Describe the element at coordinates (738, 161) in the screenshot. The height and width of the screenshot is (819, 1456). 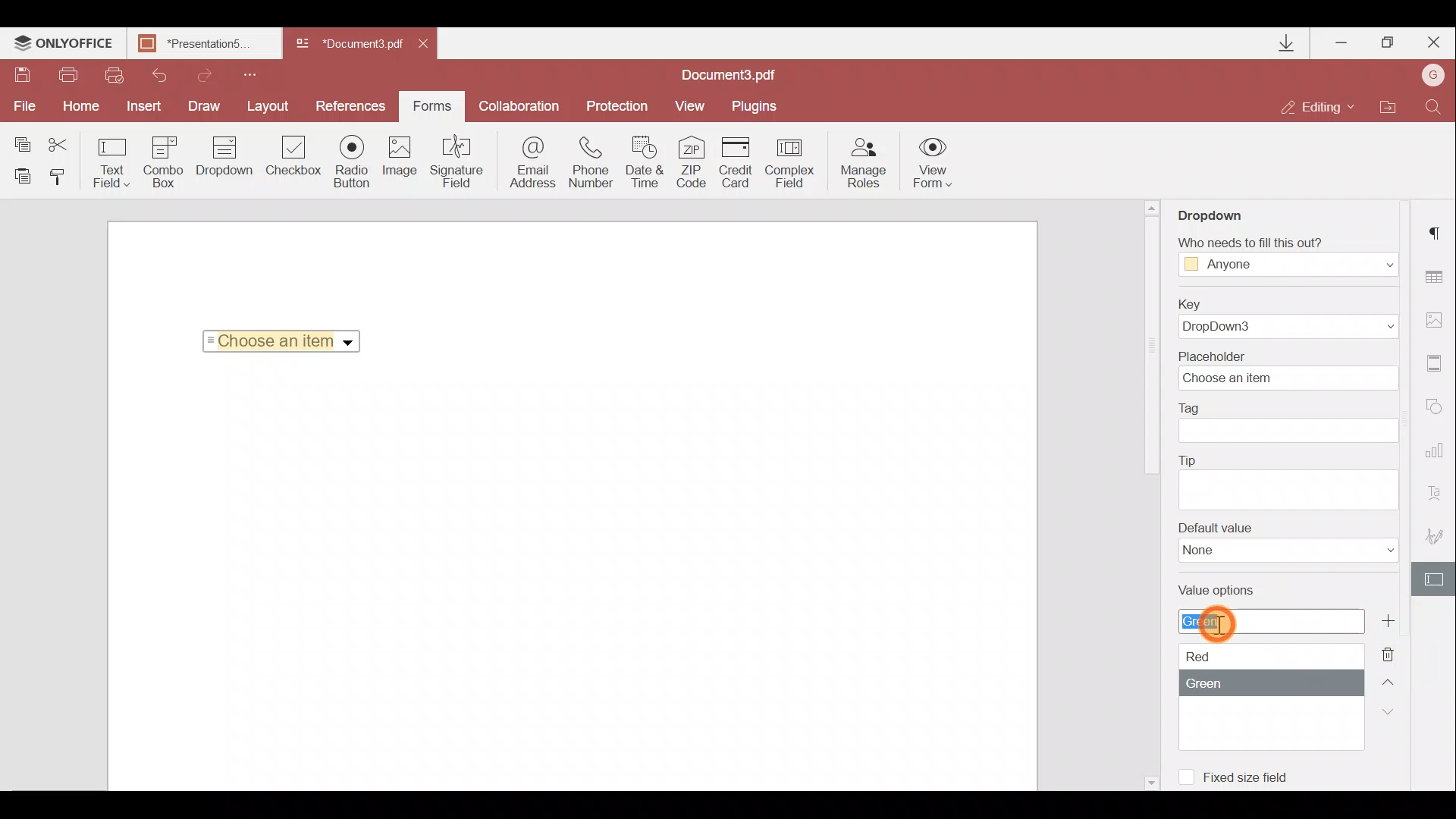
I see `Credit card` at that location.